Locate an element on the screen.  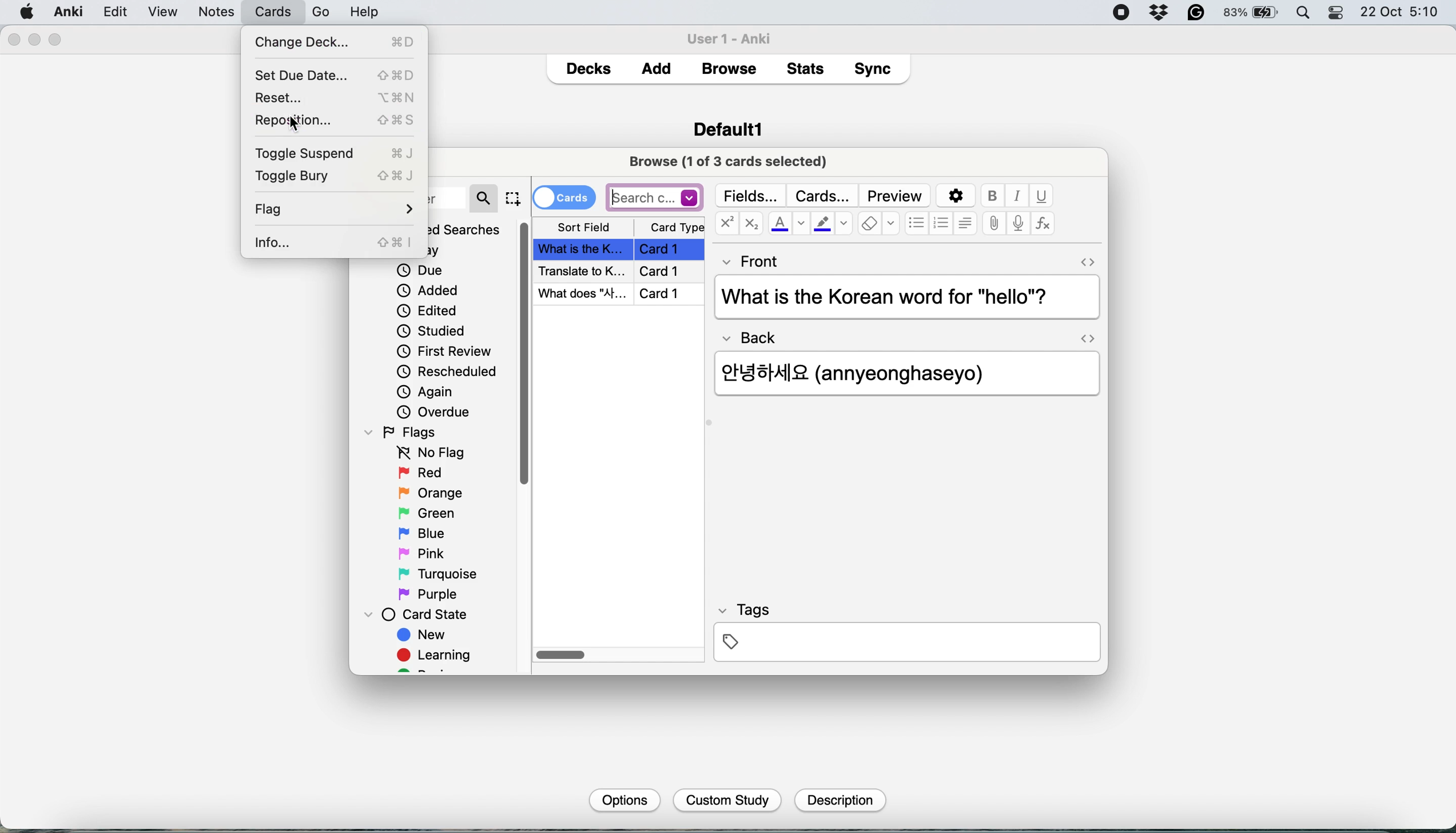
flags is located at coordinates (404, 431).